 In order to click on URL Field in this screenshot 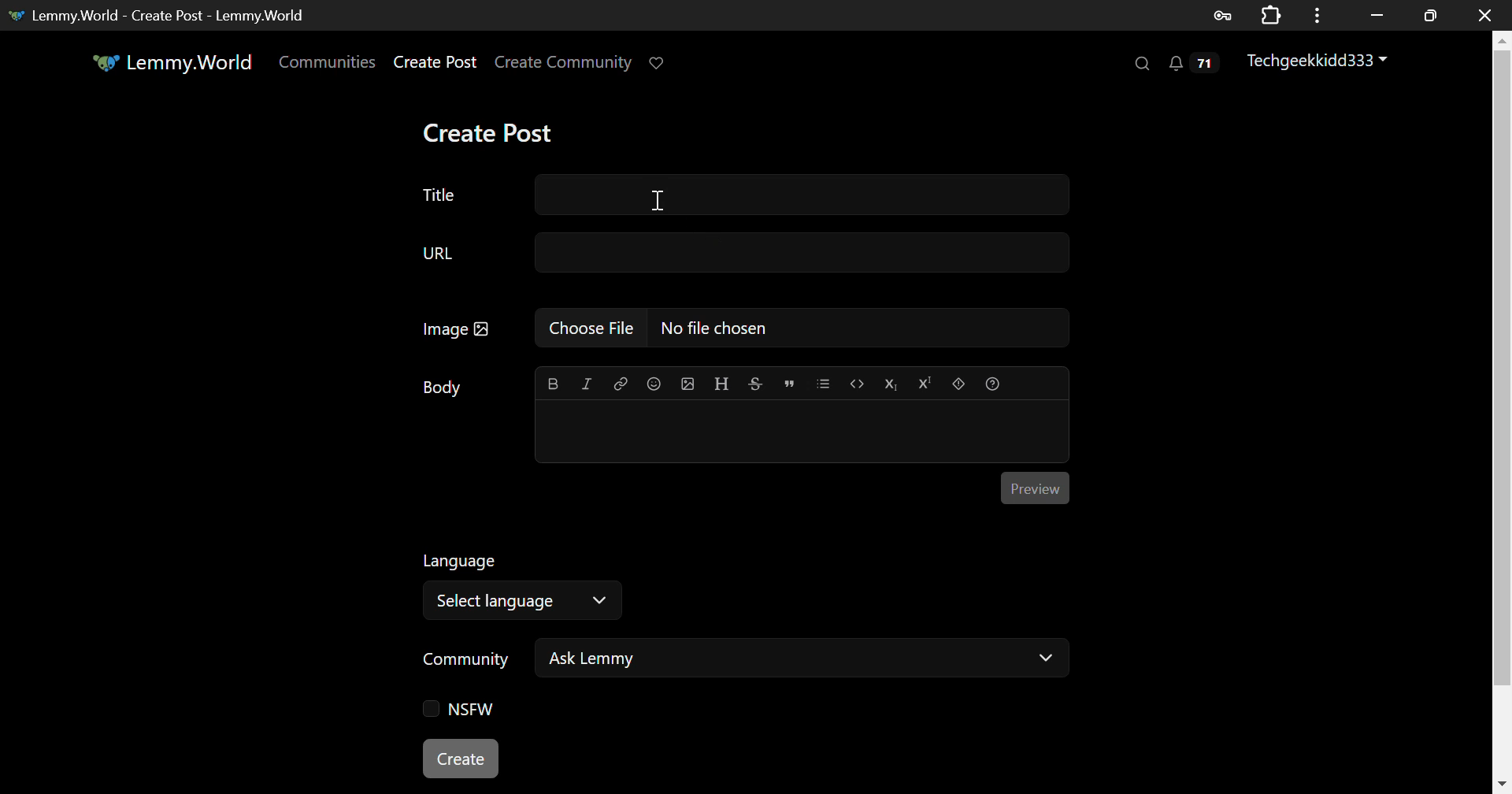, I will do `click(740, 255)`.